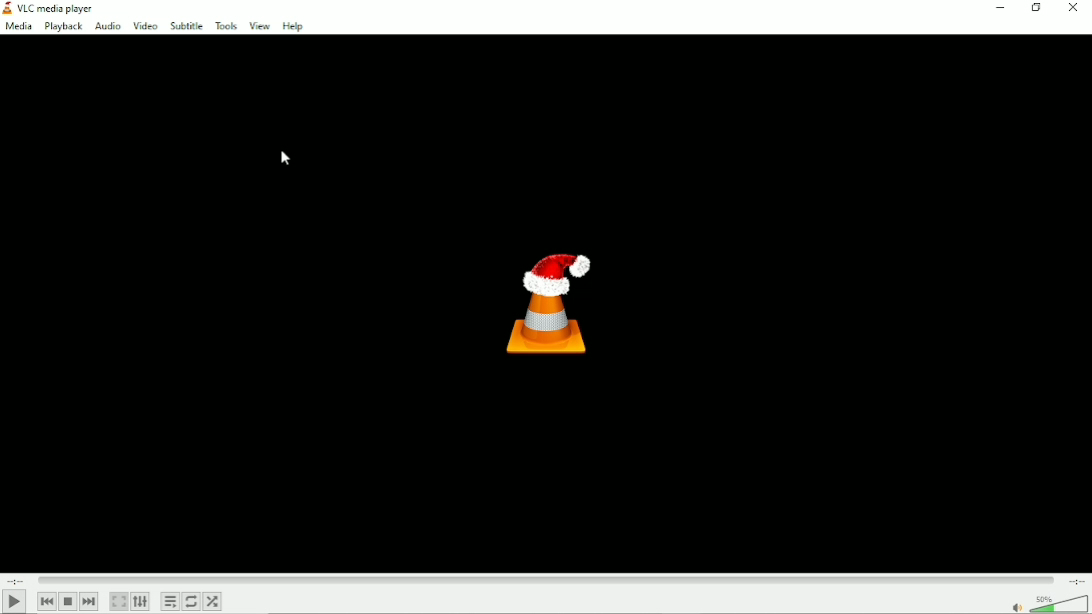  What do you see at coordinates (191, 601) in the screenshot?
I see `Toggle between loop all, loop one and no loop` at bounding box center [191, 601].